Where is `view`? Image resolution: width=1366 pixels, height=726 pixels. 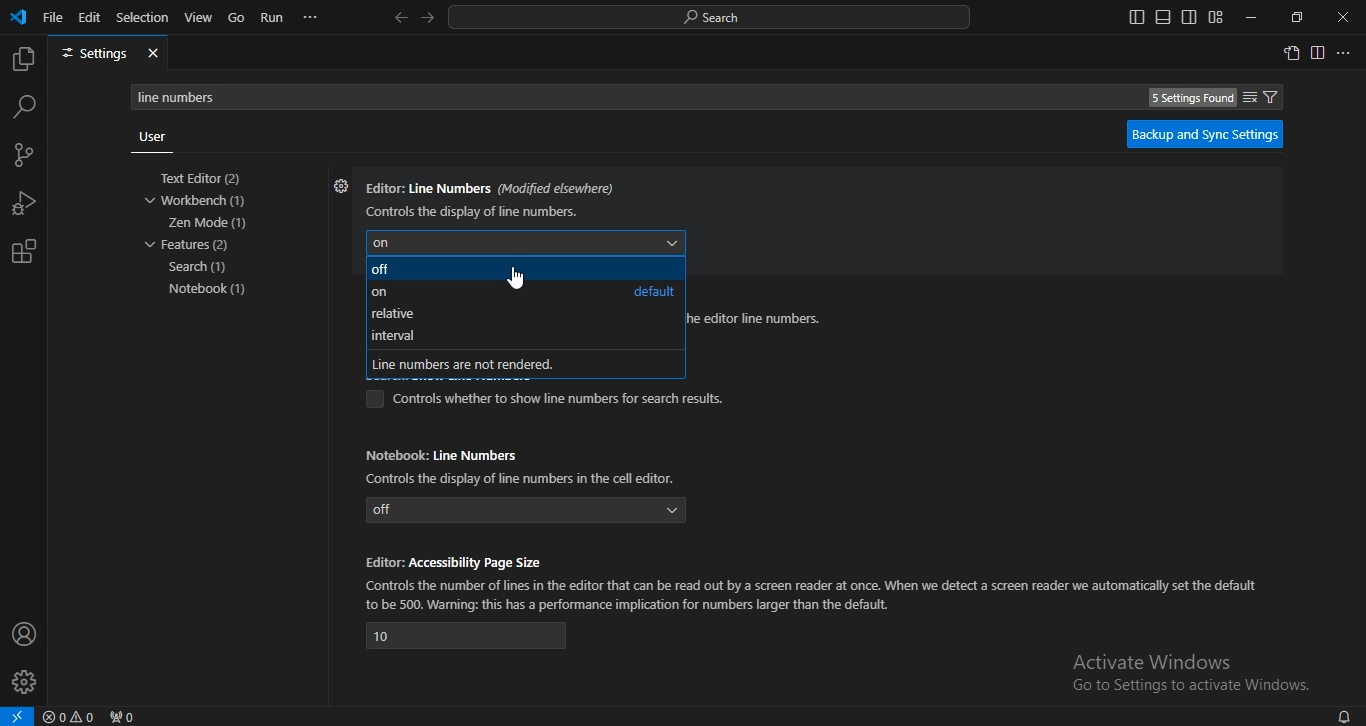
view is located at coordinates (199, 17).